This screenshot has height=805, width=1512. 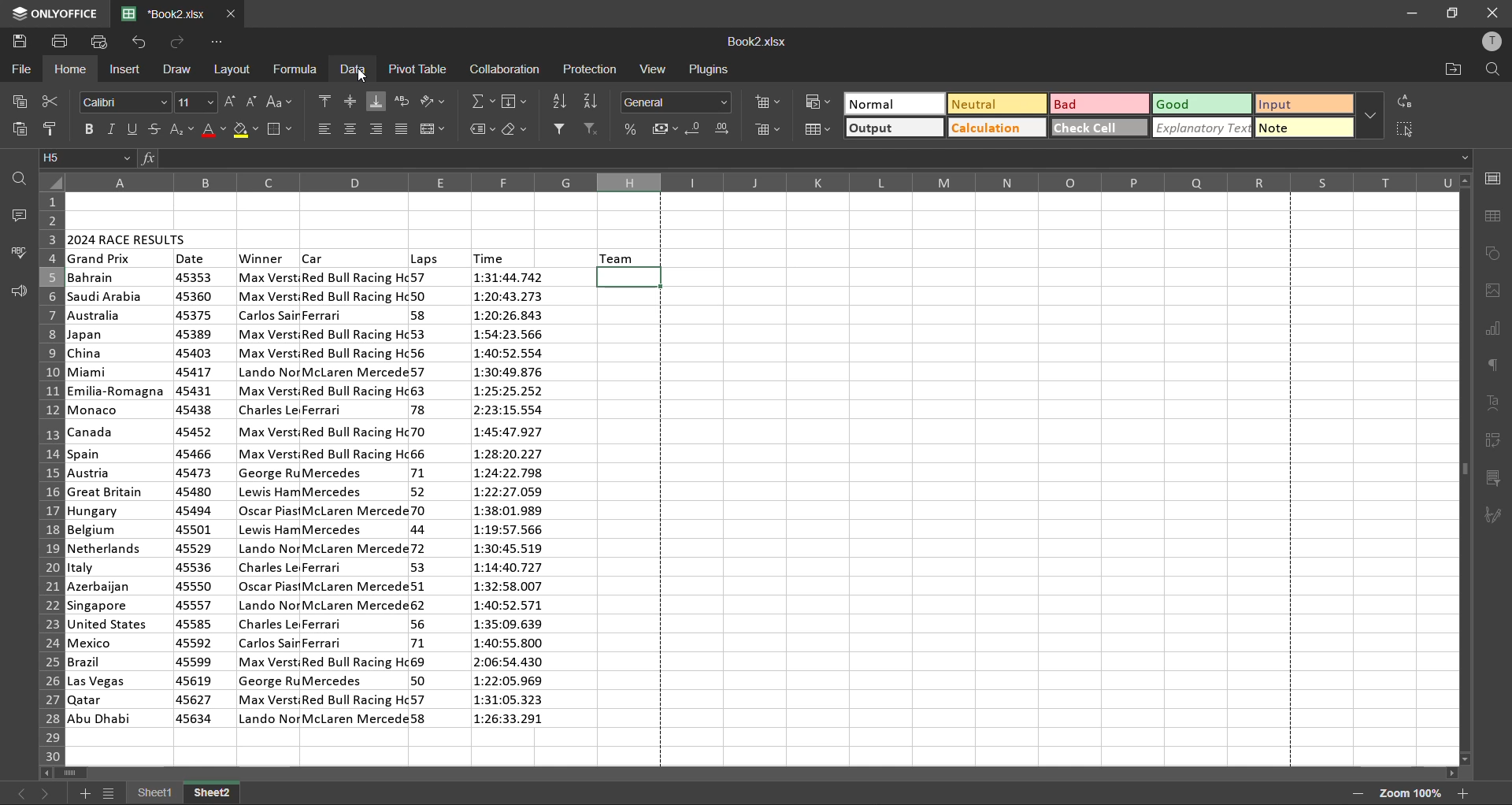 I want to click on find, so click(x=1488, y=69).